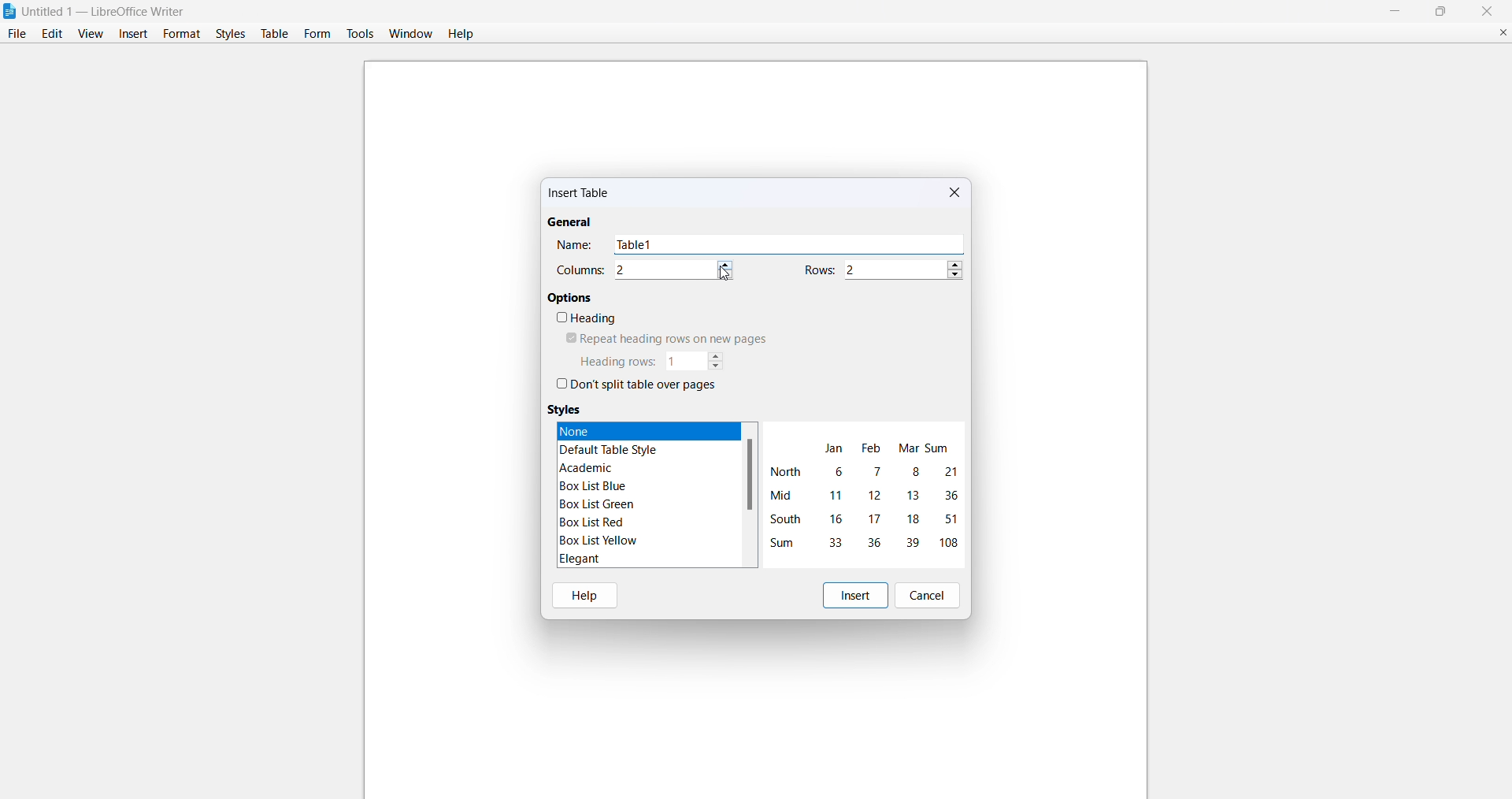 This screenshot has width=1512, height=799. What do you see at coordinates (571, 297) in the screenshot?
I see `options` at bounding box center [571, 297].